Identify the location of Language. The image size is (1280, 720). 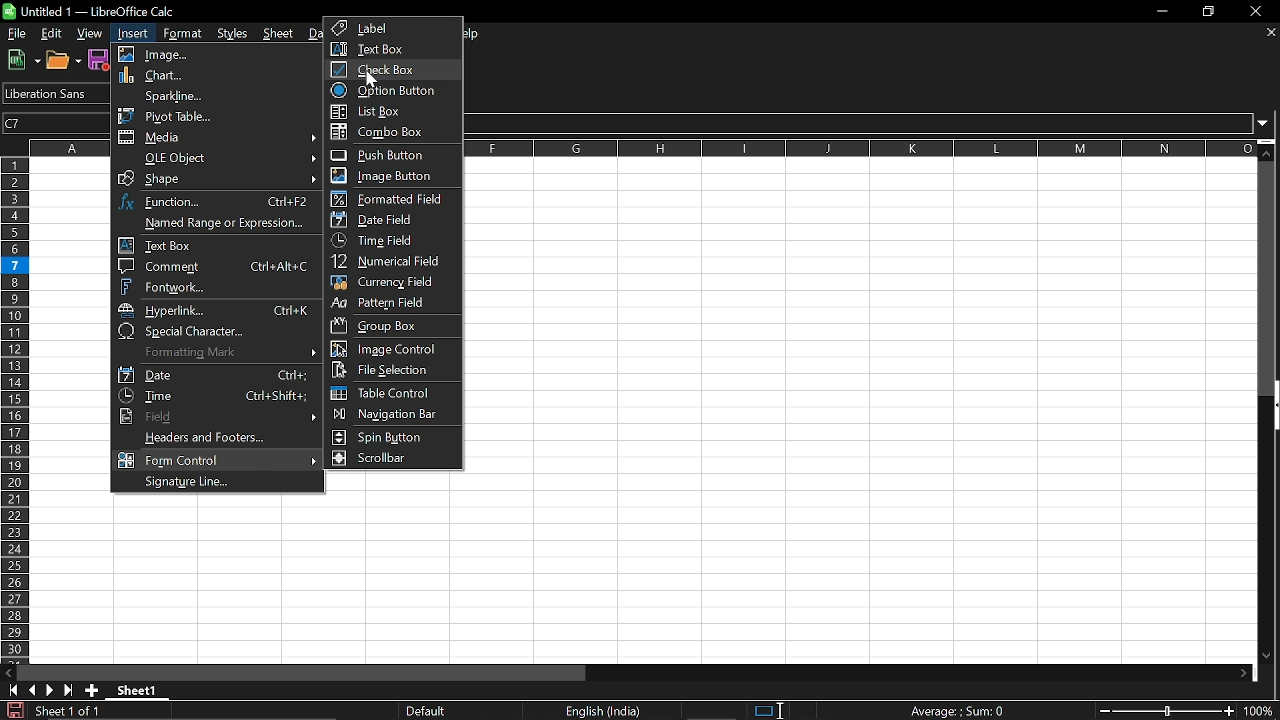
(603, 712).